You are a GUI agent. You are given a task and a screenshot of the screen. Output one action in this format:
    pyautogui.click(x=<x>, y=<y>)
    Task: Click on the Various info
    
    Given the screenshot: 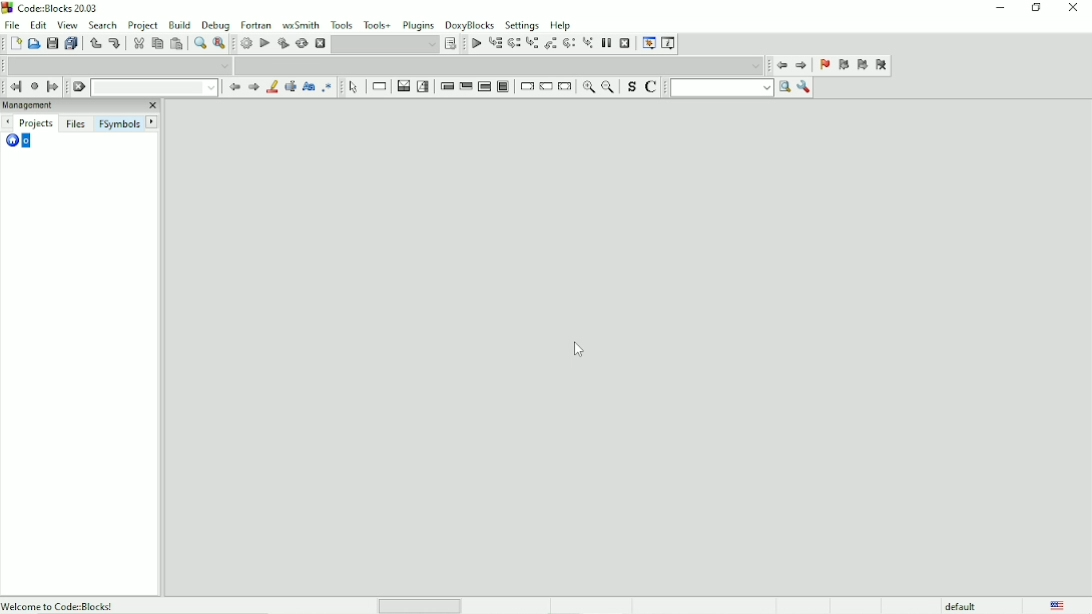 What is the action you would take?
    pyautogui.click(x=668, y=43)
    